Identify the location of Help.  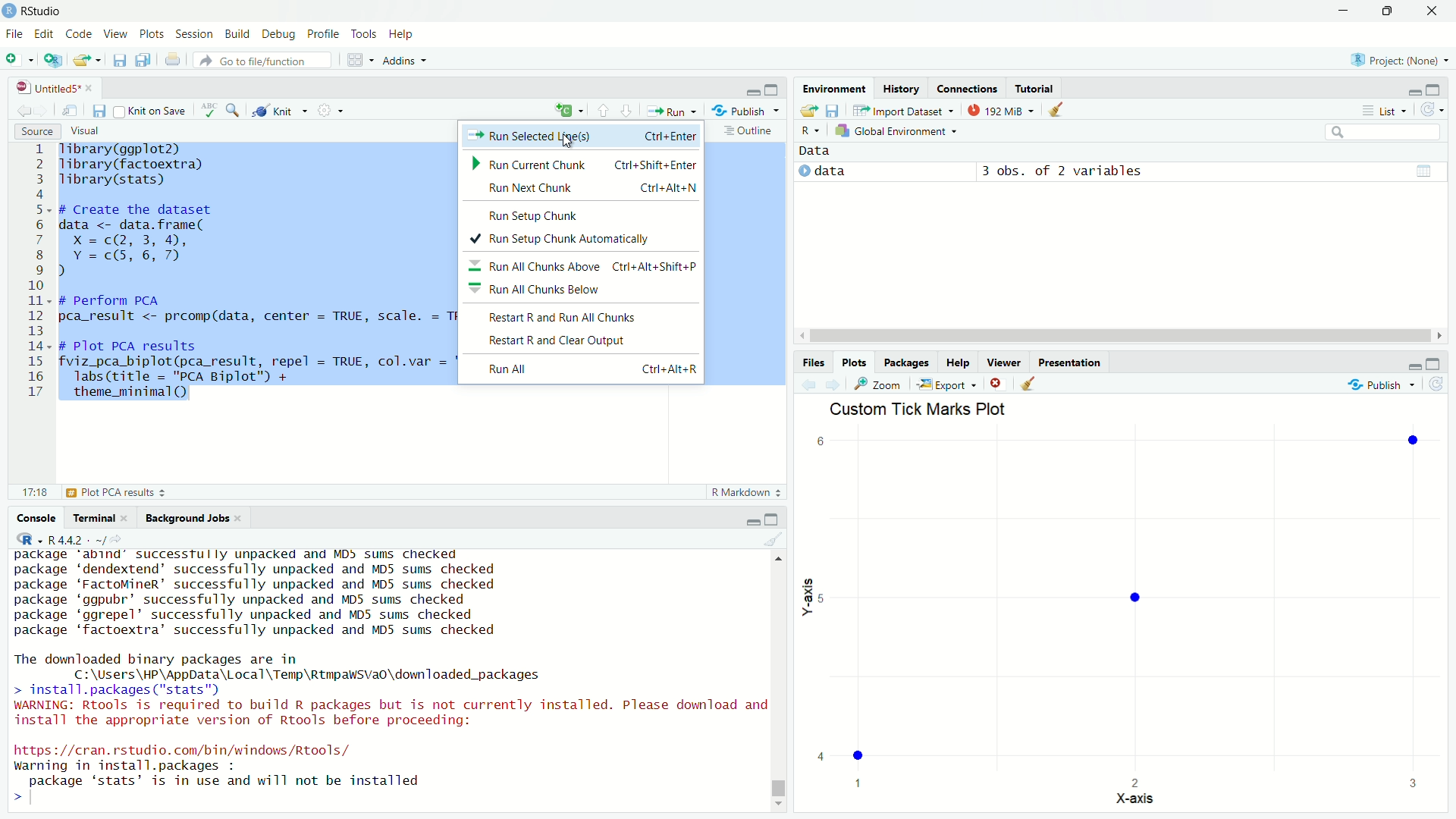
(403, 34).